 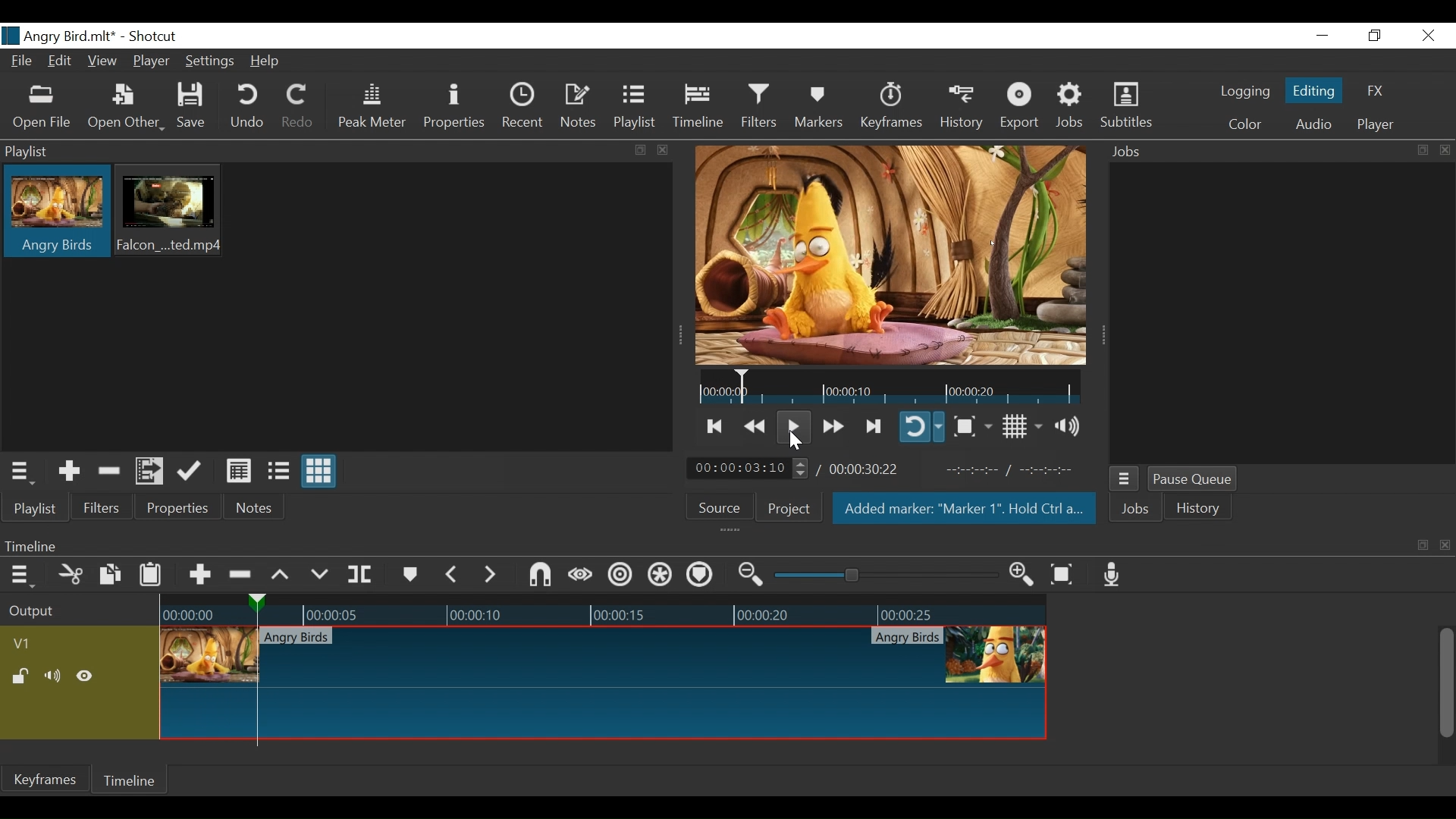 What do you see at coordinates (1112, 576) in the screenshot?
I see `Record audio` at bounding box center [1112, 576].